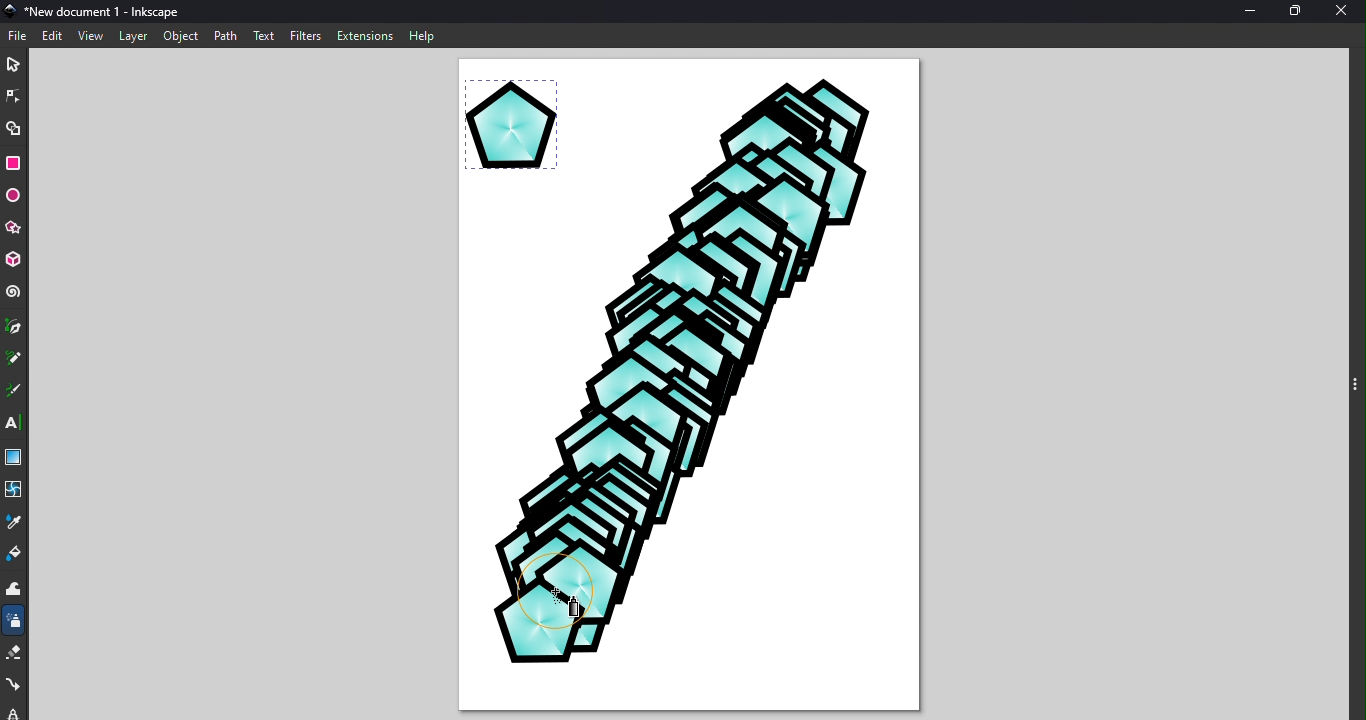  What do you see at coordinates (13, 357) in the screenshot?
I see `Pencil tool` at bounding box center [13, 357].